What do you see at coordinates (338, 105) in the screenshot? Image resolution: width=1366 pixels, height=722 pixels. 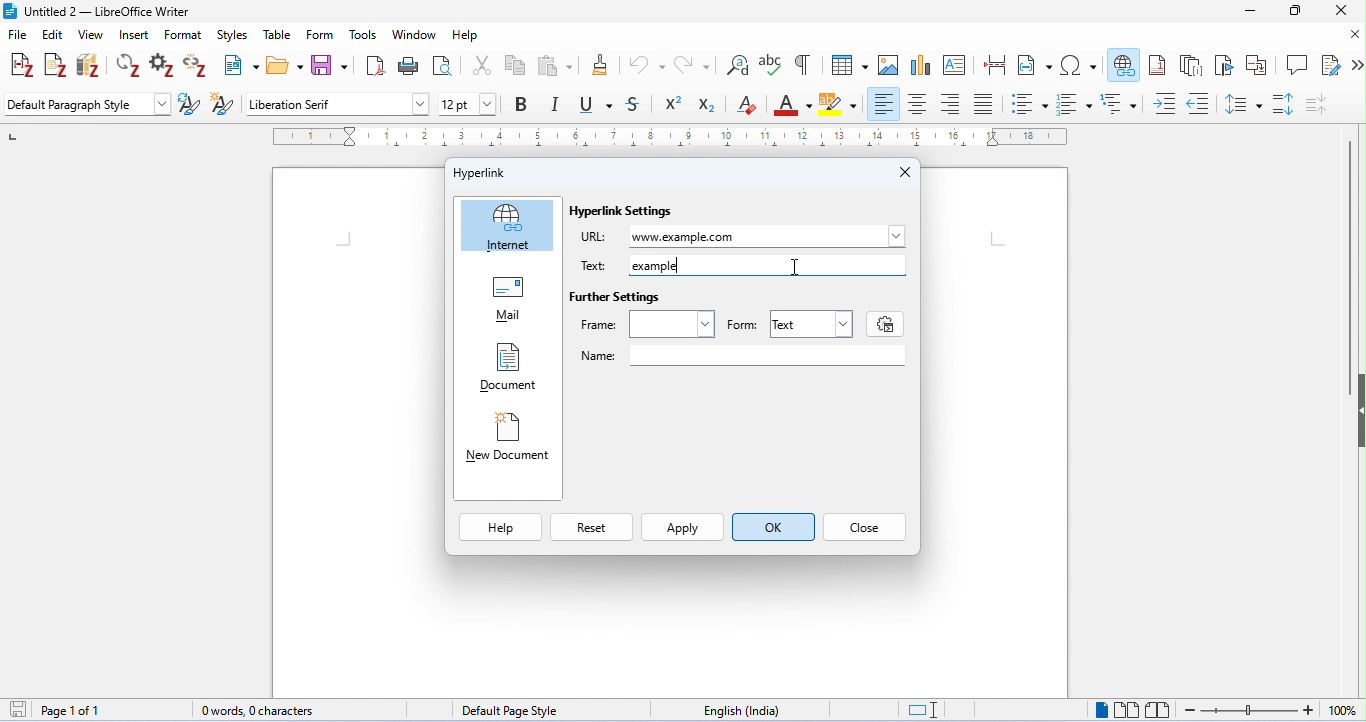 I see `font style` at bounding box center [338, 105].